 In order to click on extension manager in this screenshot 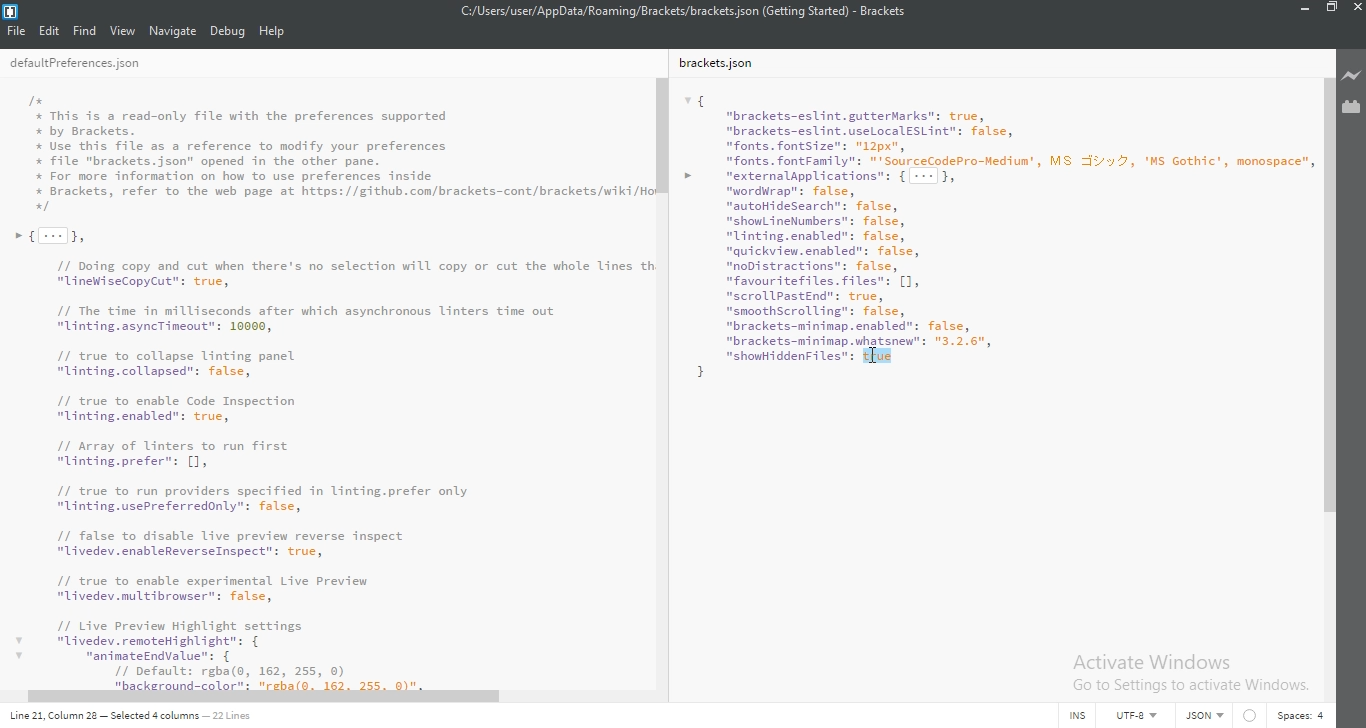, I will do `click(1351, 105)`.